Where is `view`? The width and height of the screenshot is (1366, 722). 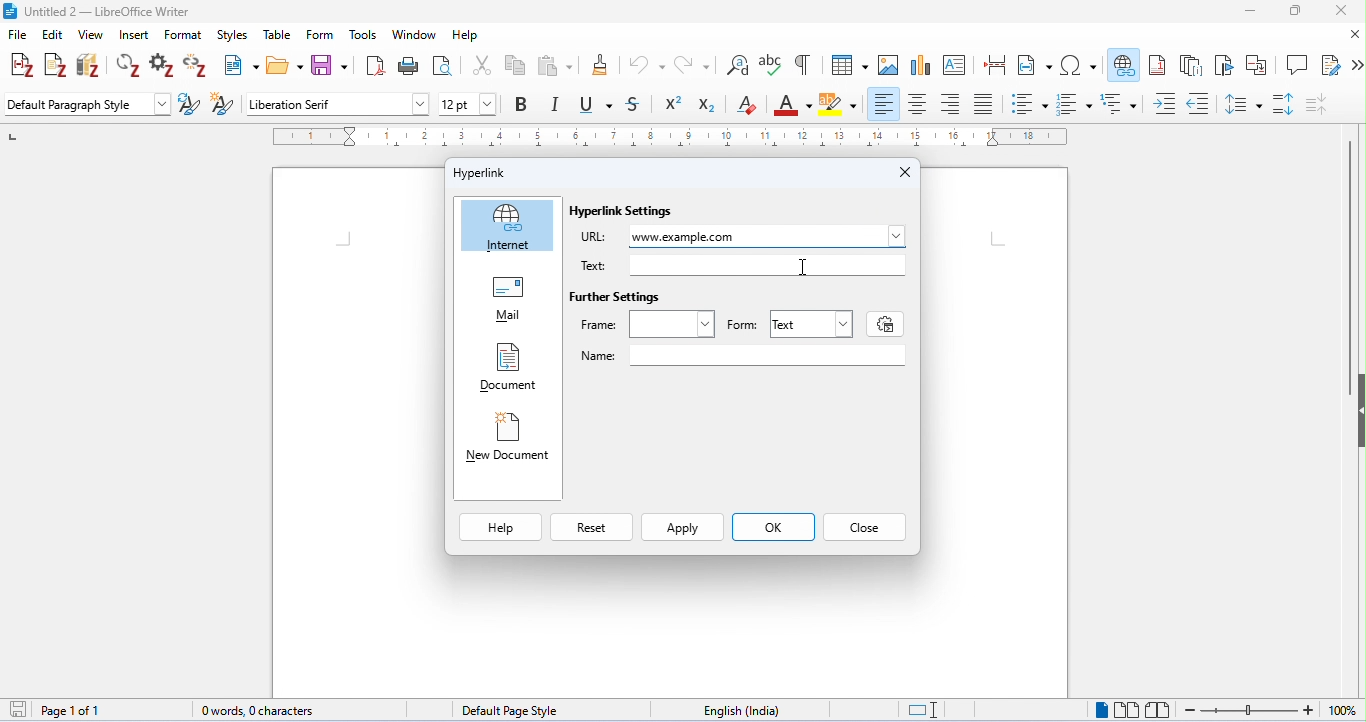 view is located at coordinates (92, 36).